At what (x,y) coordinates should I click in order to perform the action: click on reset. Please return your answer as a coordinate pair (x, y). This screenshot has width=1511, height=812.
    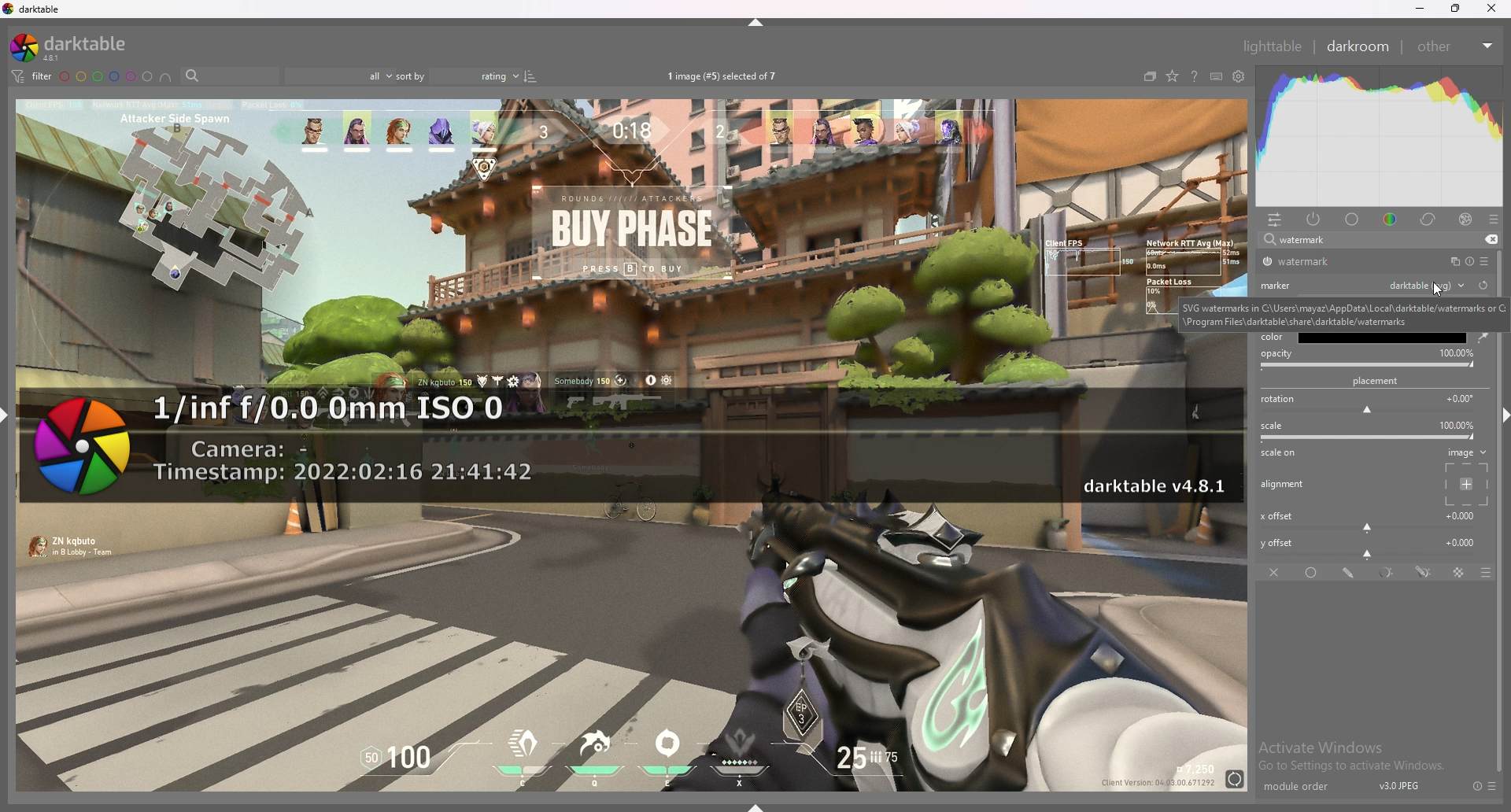
    Looking at the image, I should click on (1476, 786).